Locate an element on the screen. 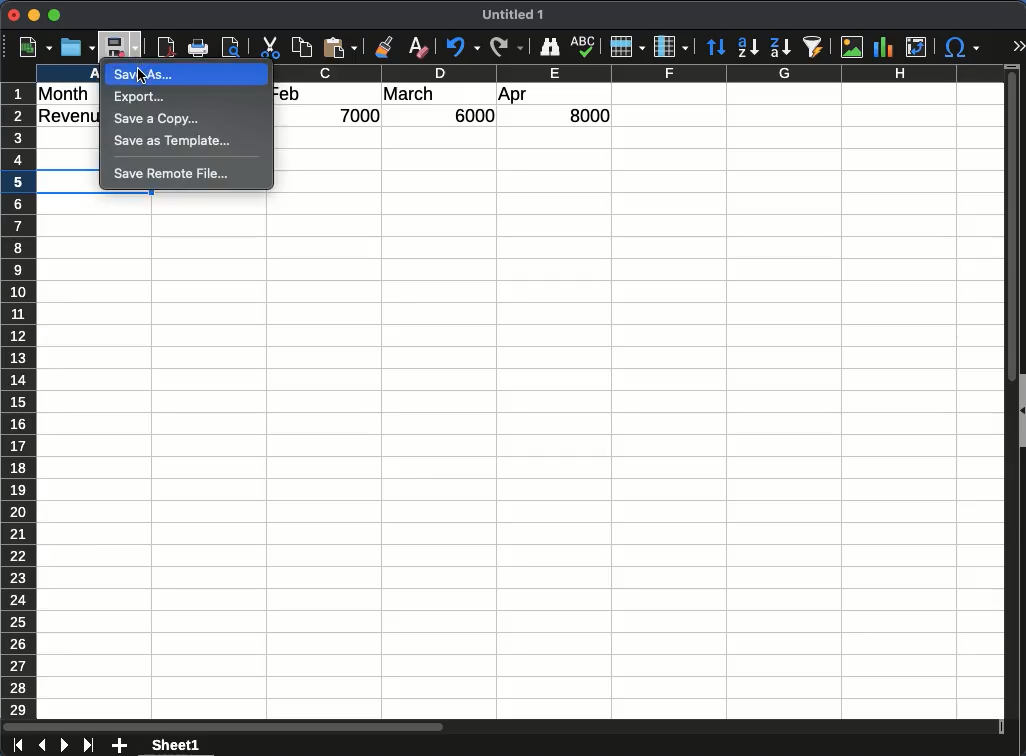 This screenshot has height=756, width=1026. feb is located at coordinates (289, 95).